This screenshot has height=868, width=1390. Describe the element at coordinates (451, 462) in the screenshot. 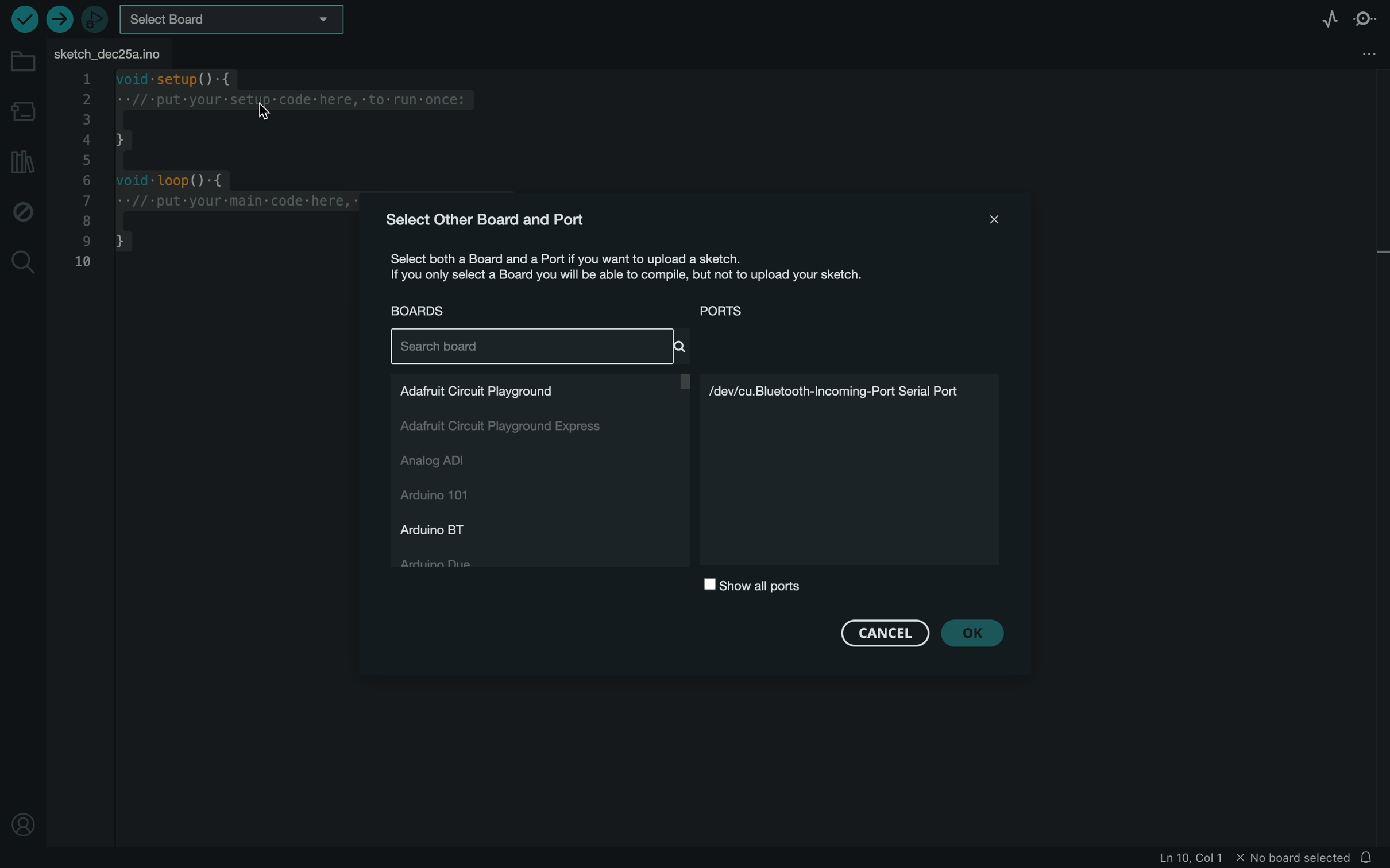

I see `analog adi` at that location.